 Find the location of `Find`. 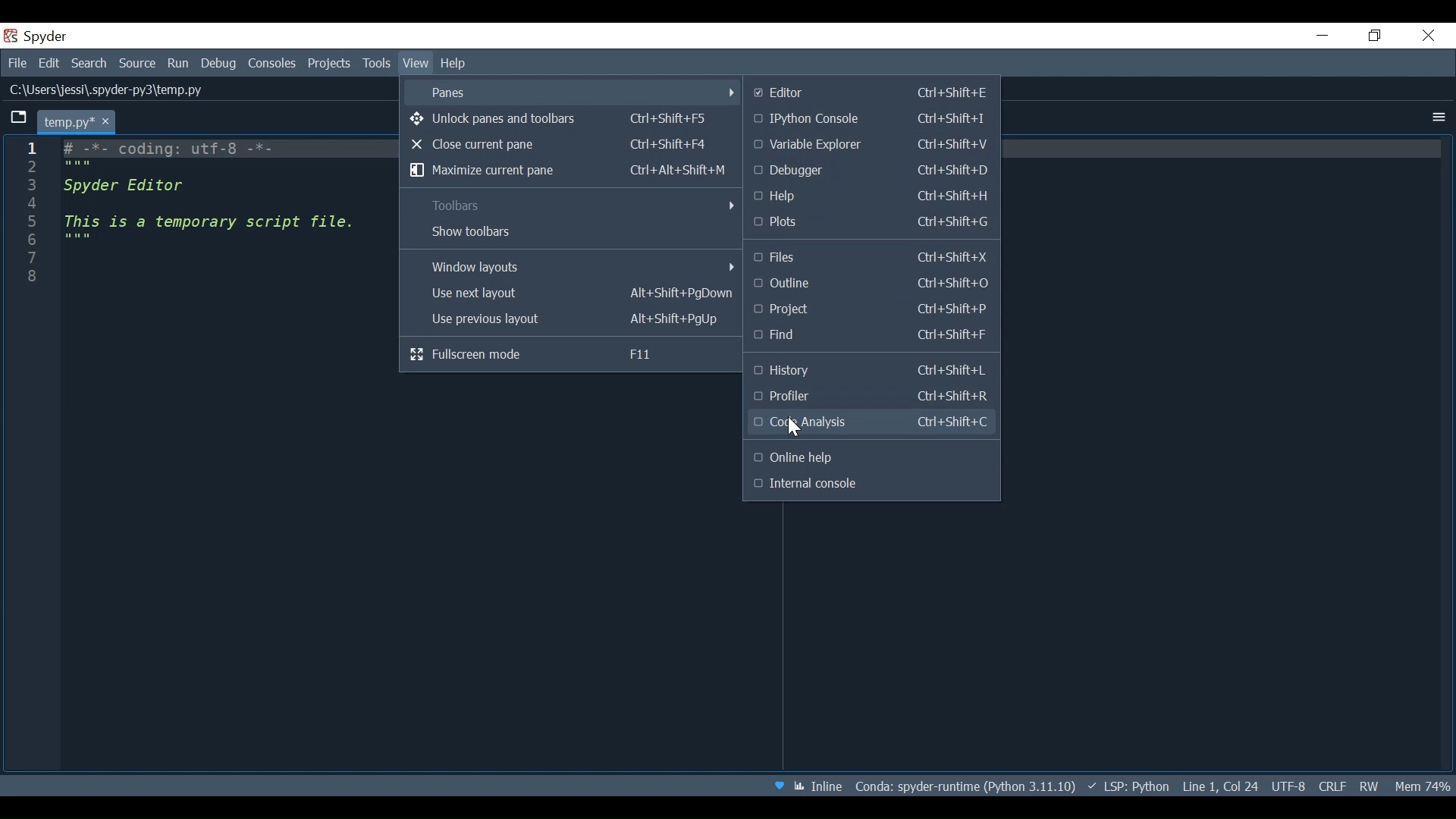

Find is located at coordinates (872, 335).